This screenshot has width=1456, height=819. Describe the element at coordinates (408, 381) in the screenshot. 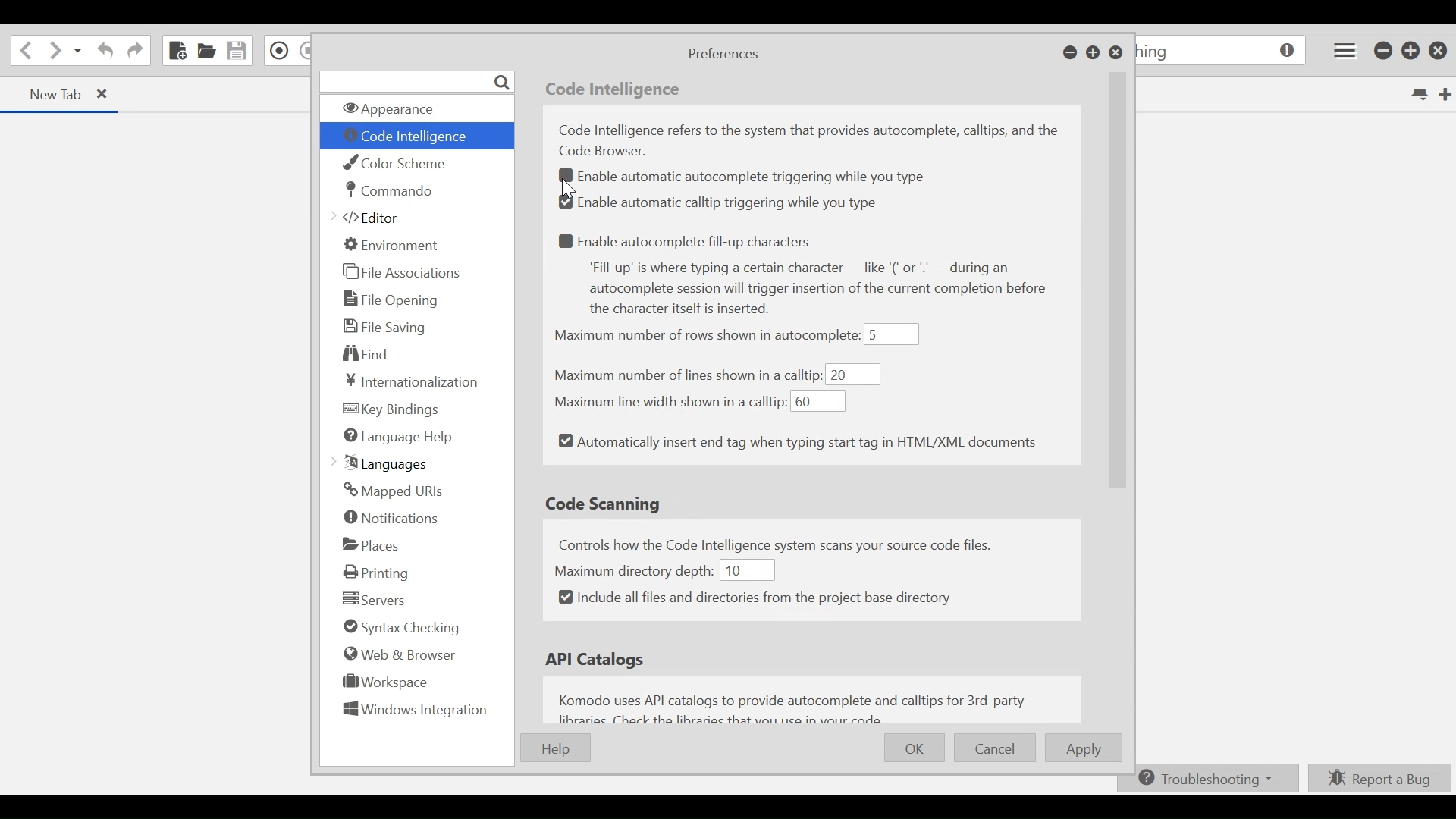

I see `Internationalization` at that location.